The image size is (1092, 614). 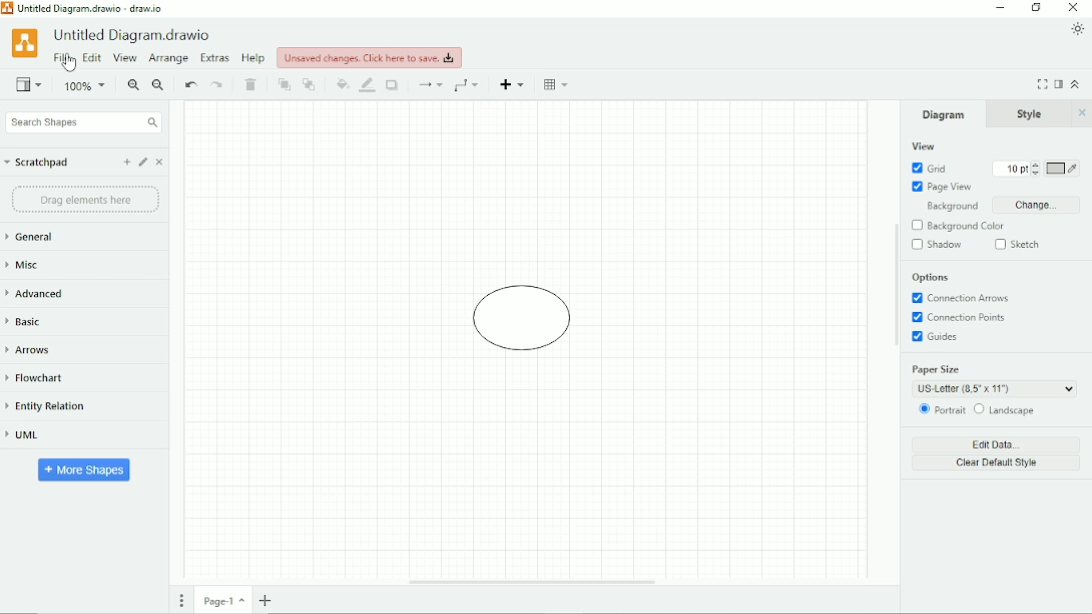 I want to click on Diagram circle, so click(x=523, y=320).